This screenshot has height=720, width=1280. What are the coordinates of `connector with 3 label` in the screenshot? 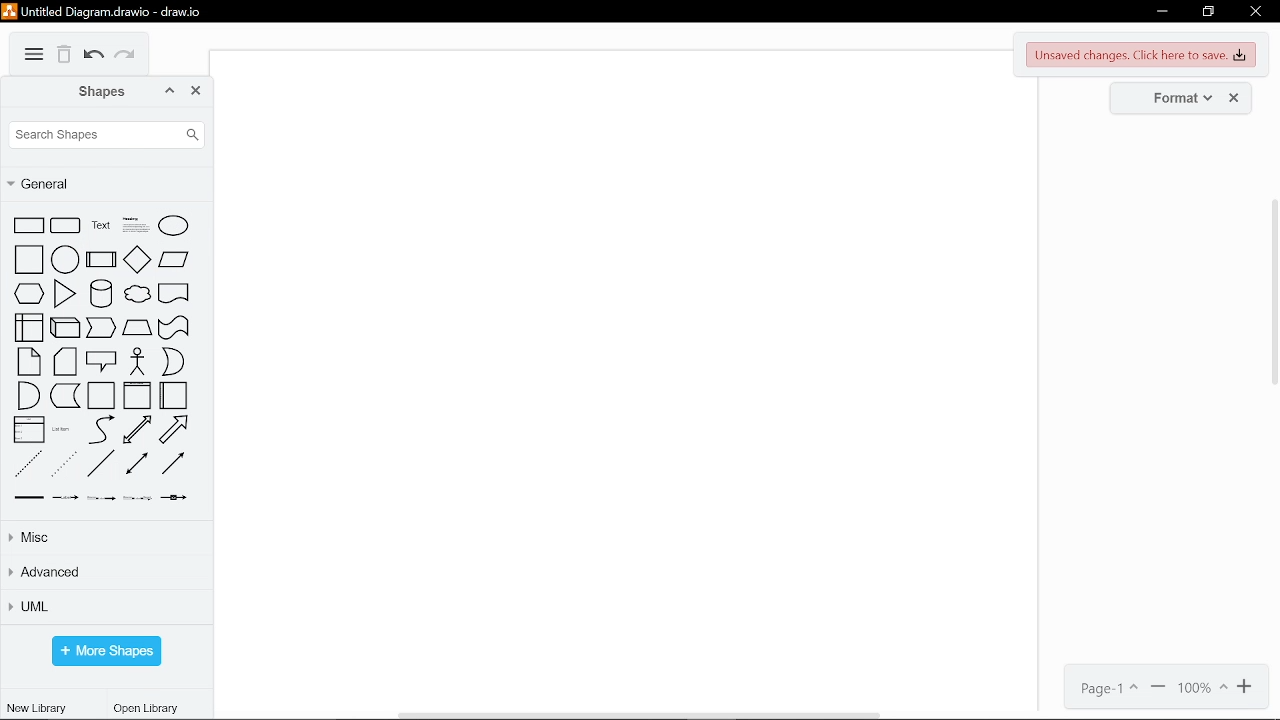 It's located at (138, 498).